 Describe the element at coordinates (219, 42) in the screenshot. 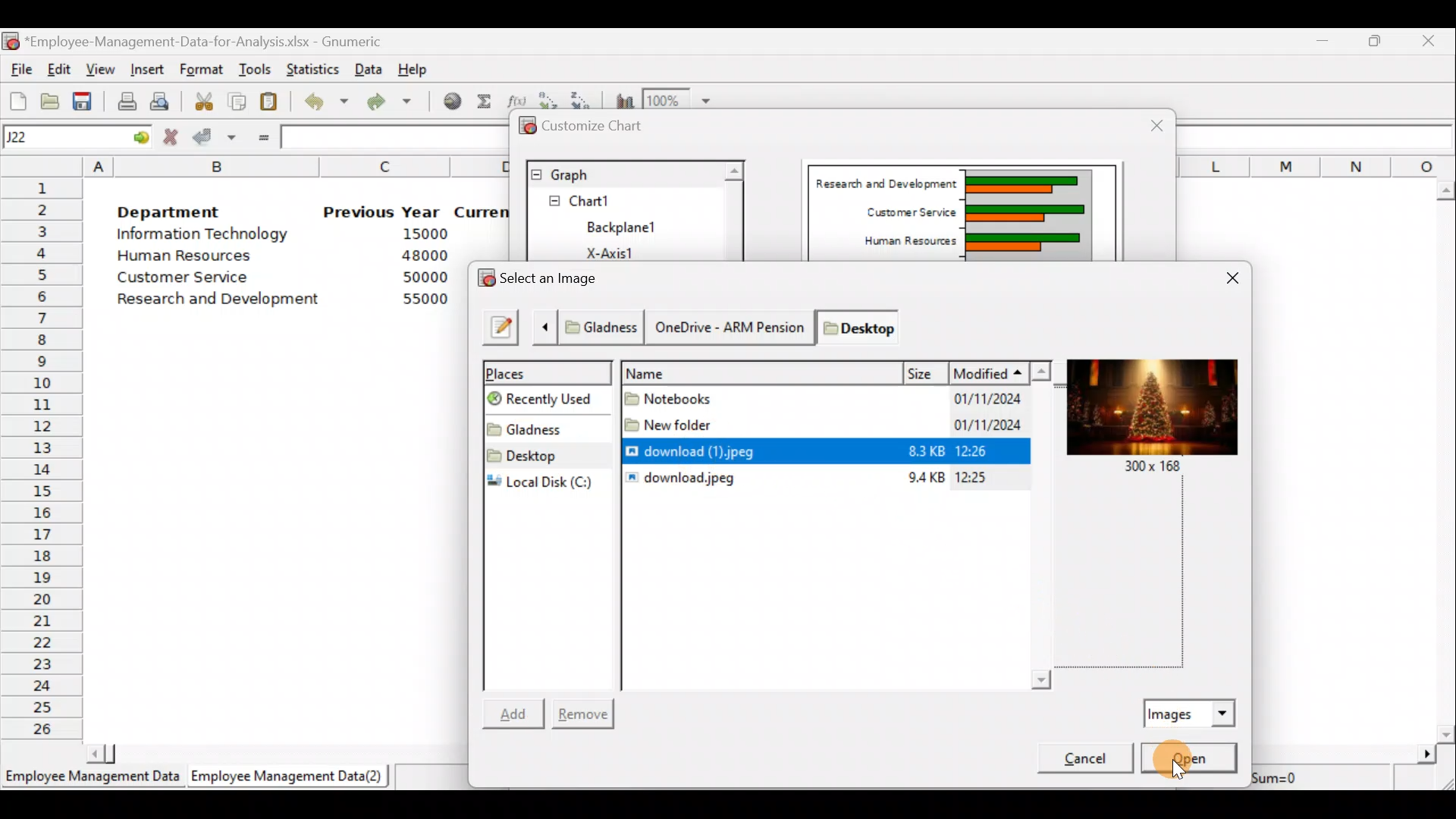

I see `‘Employee-Management-Data-for-Analysis.xlsx - Gnumeric` at that location.